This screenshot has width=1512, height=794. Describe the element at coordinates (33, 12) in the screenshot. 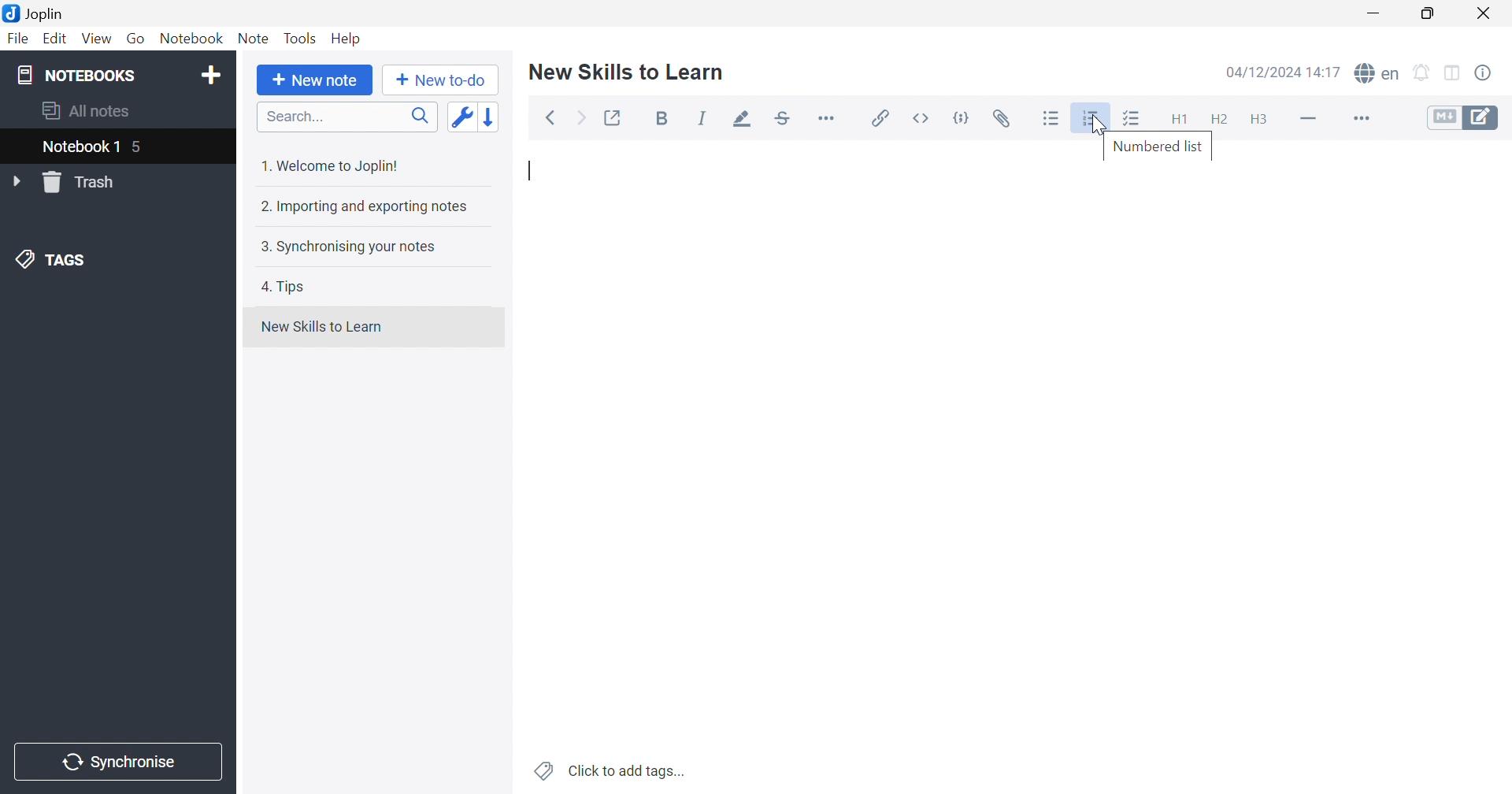

I see `Joplin` at that location.